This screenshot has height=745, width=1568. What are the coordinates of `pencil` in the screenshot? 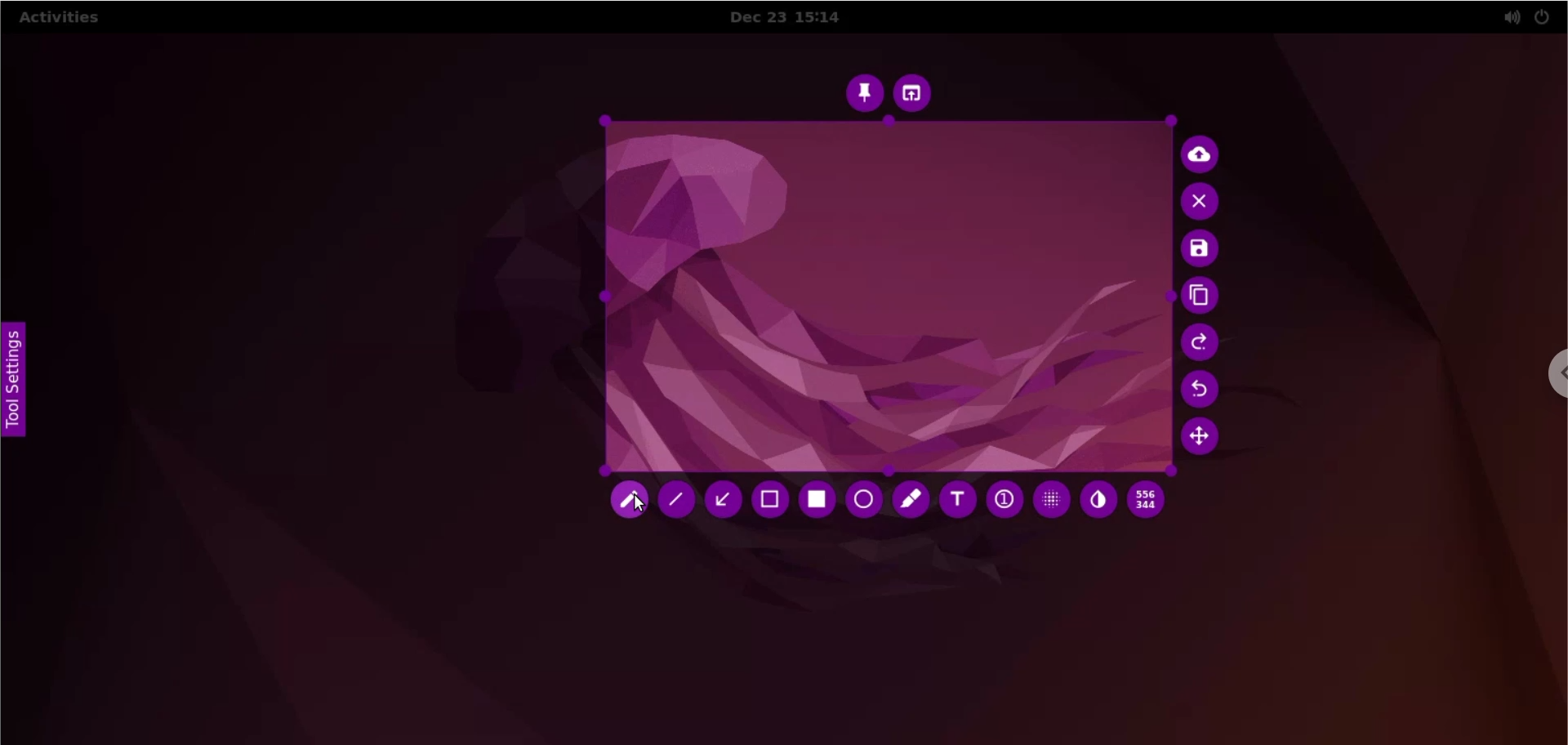 It's located at (626, 500).